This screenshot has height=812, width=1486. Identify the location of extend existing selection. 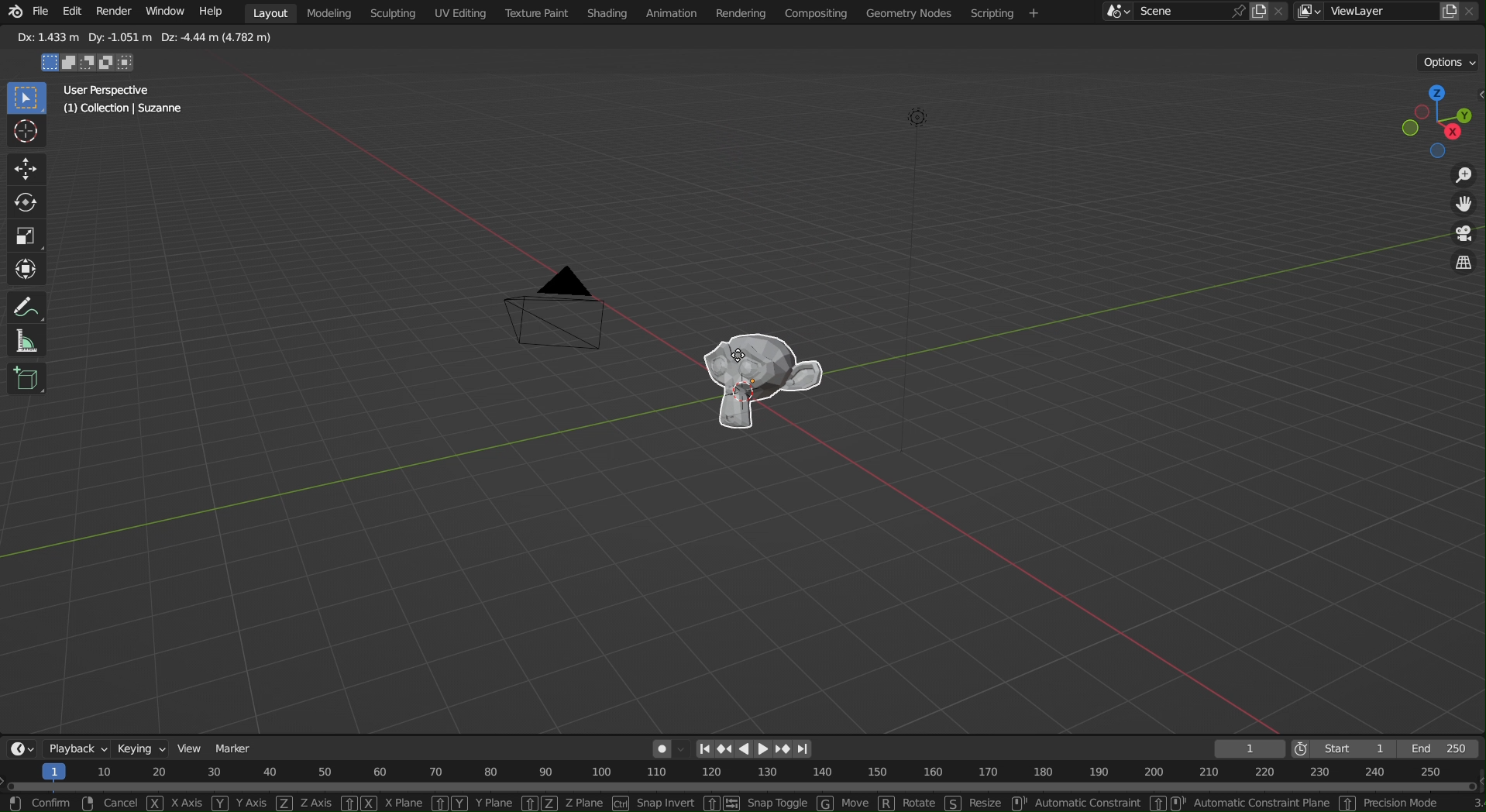
(73, 64).